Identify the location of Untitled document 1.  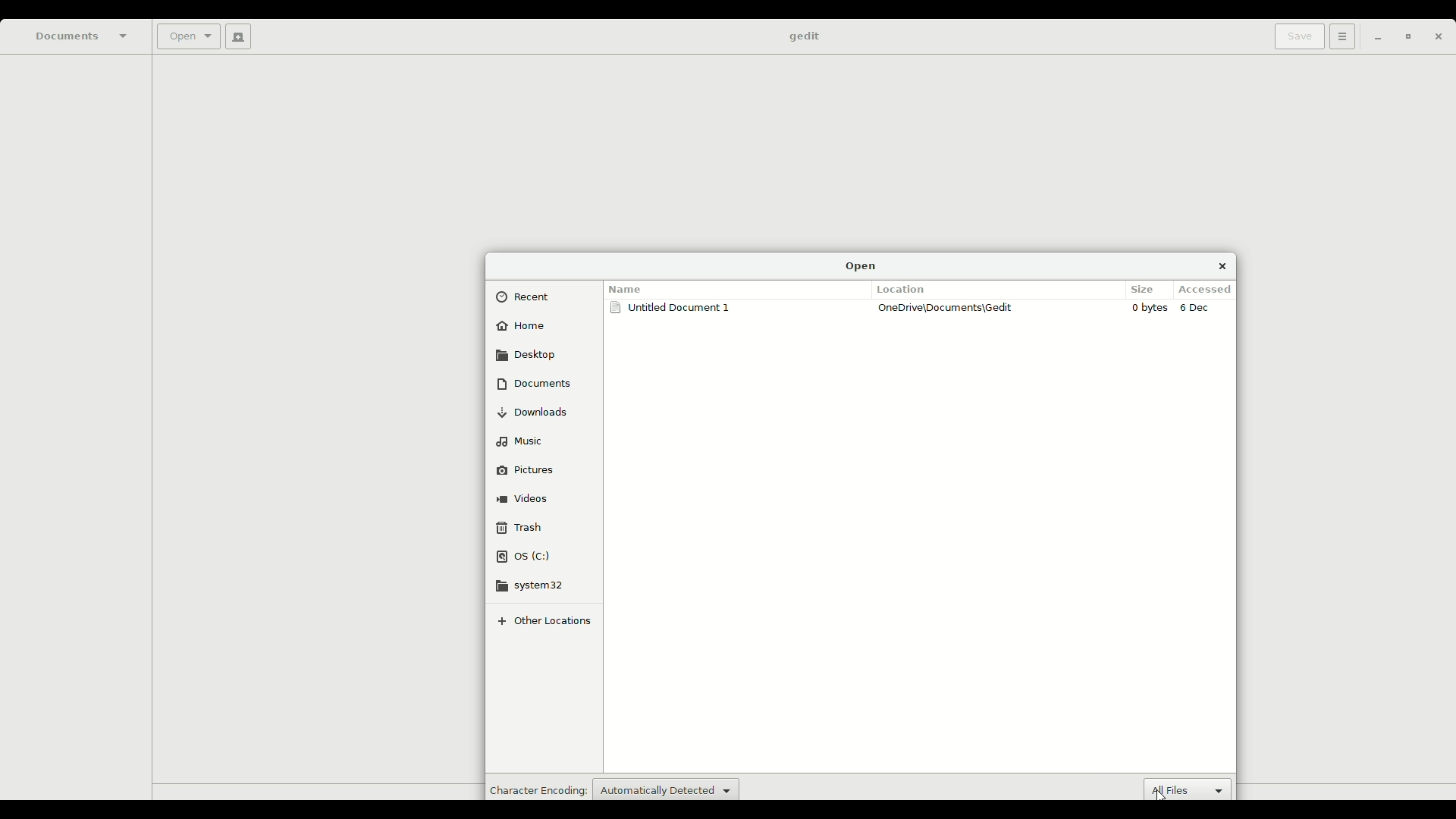
(673, 310).